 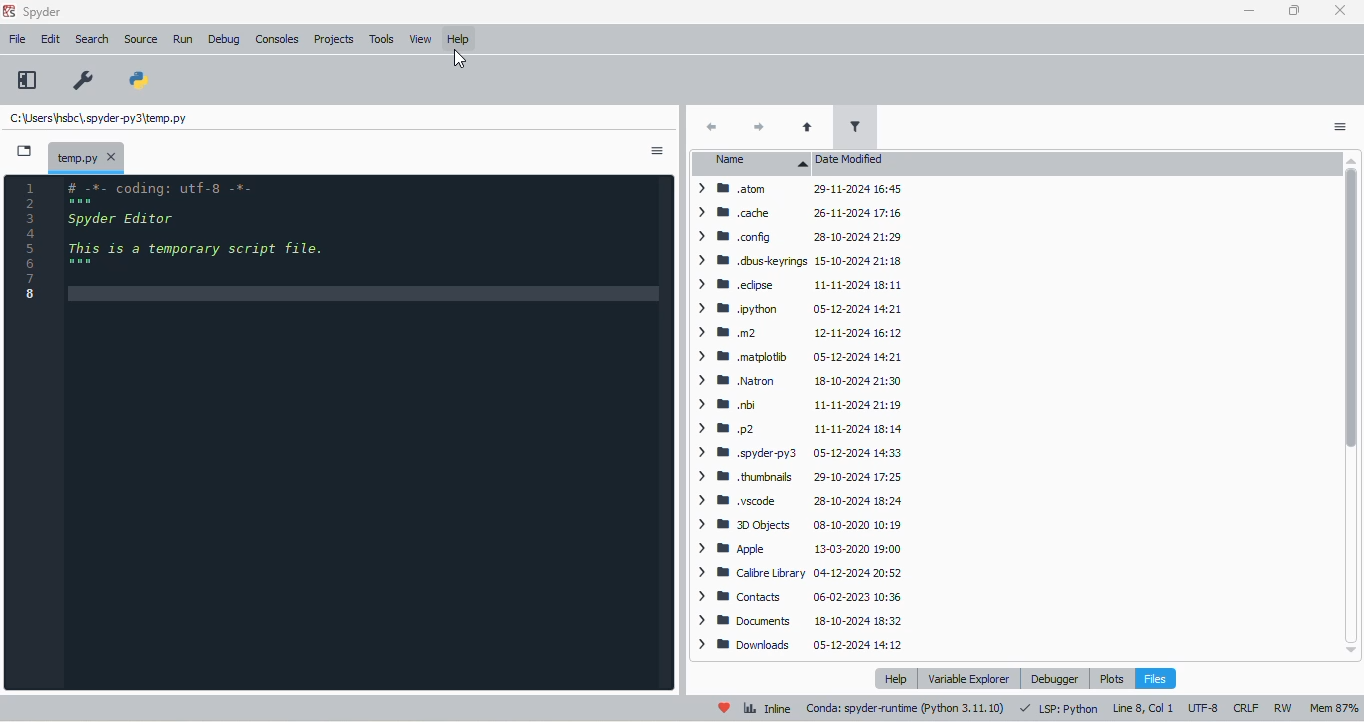 What do you see at coordinates (1061, 709) in the screenshot?
I see `LSP: Python` at bounding box center [1061, 709].